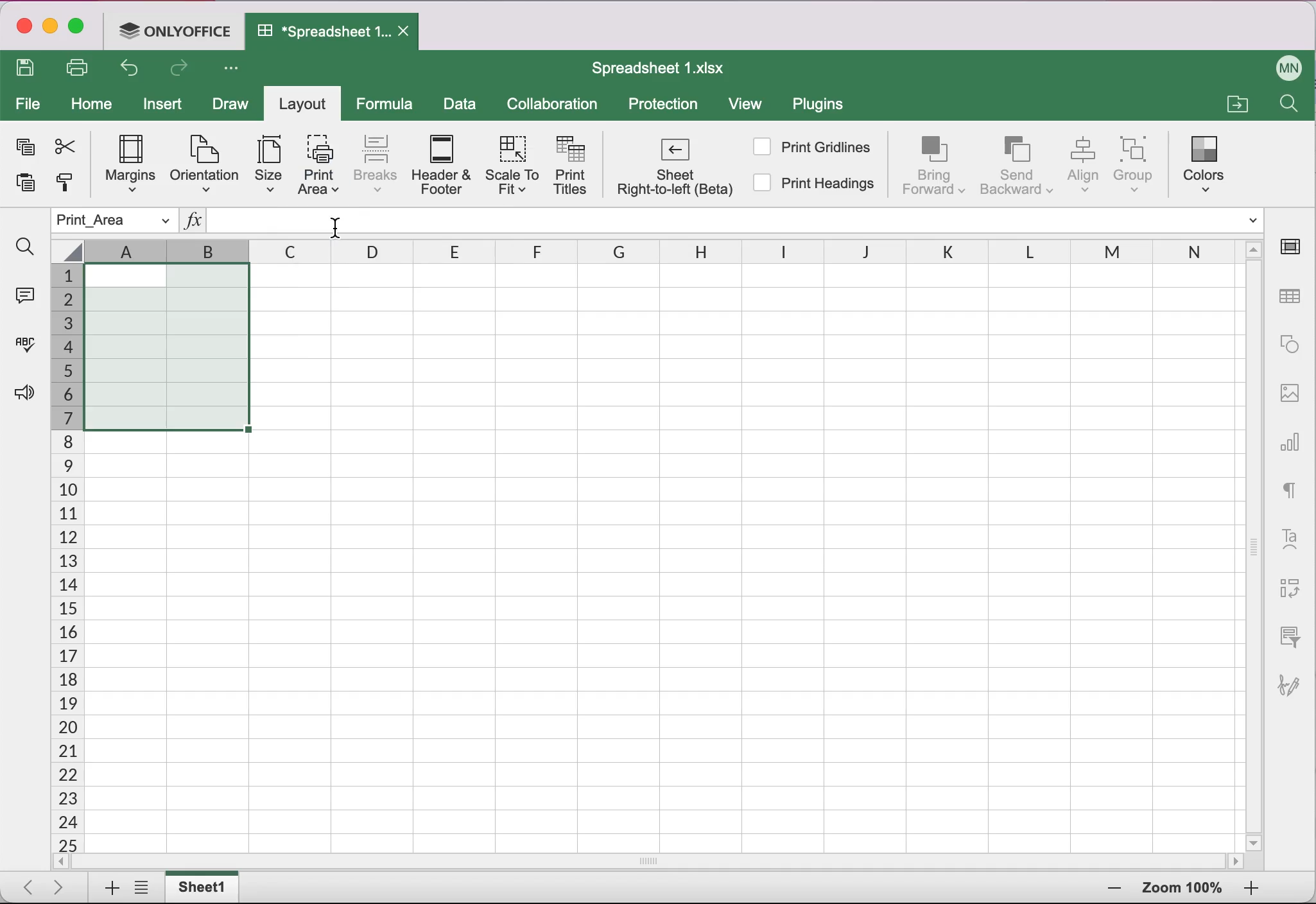 Image resolution: width=1316 pixels, height=904 pixels. Describe the element at coordinates (1254, 540) in the screenshot. I see `vertical slider` at that location.